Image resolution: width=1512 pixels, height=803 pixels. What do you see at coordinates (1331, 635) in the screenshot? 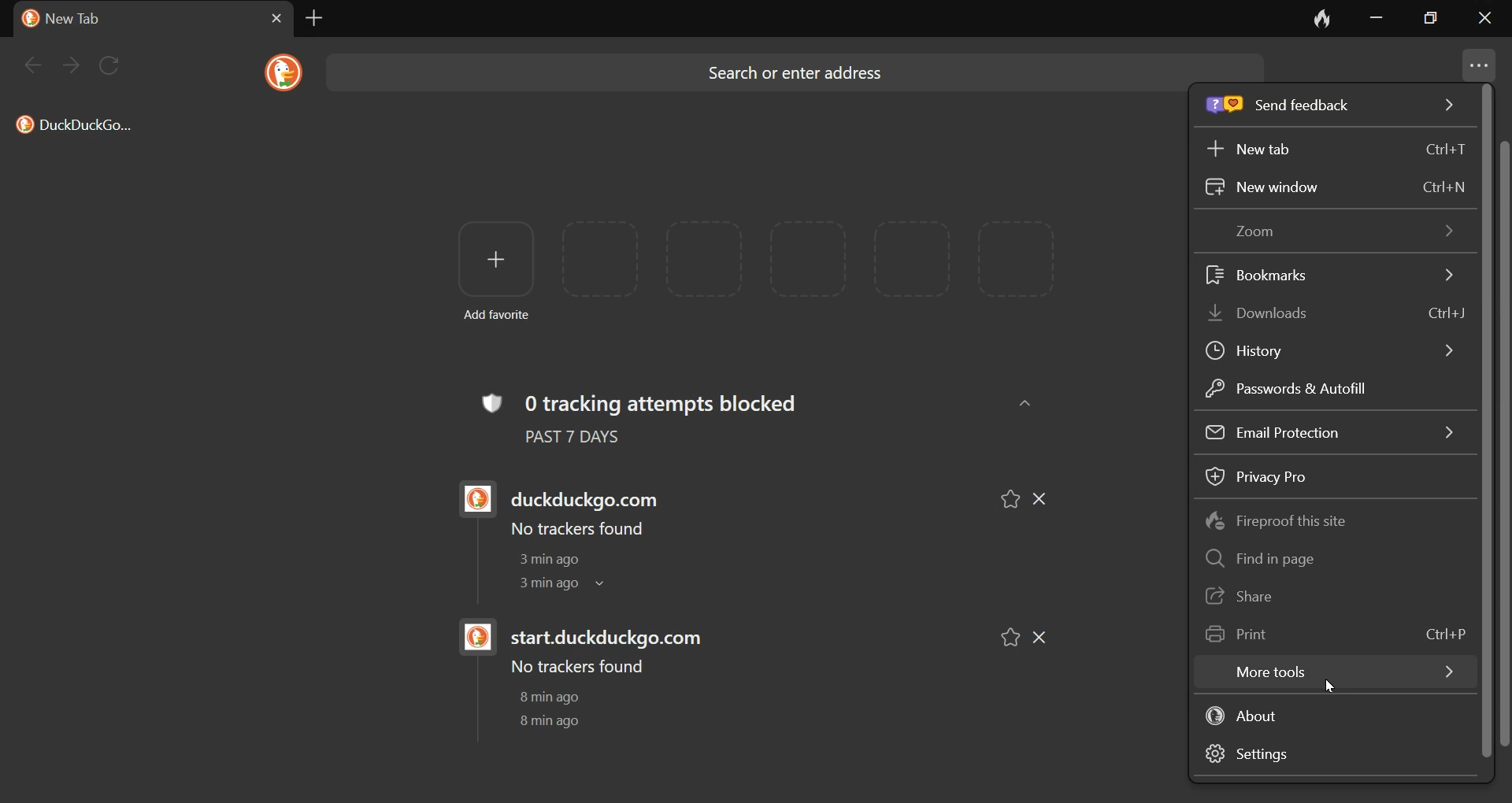
I see `Print` at bounding box center [1331, 635].